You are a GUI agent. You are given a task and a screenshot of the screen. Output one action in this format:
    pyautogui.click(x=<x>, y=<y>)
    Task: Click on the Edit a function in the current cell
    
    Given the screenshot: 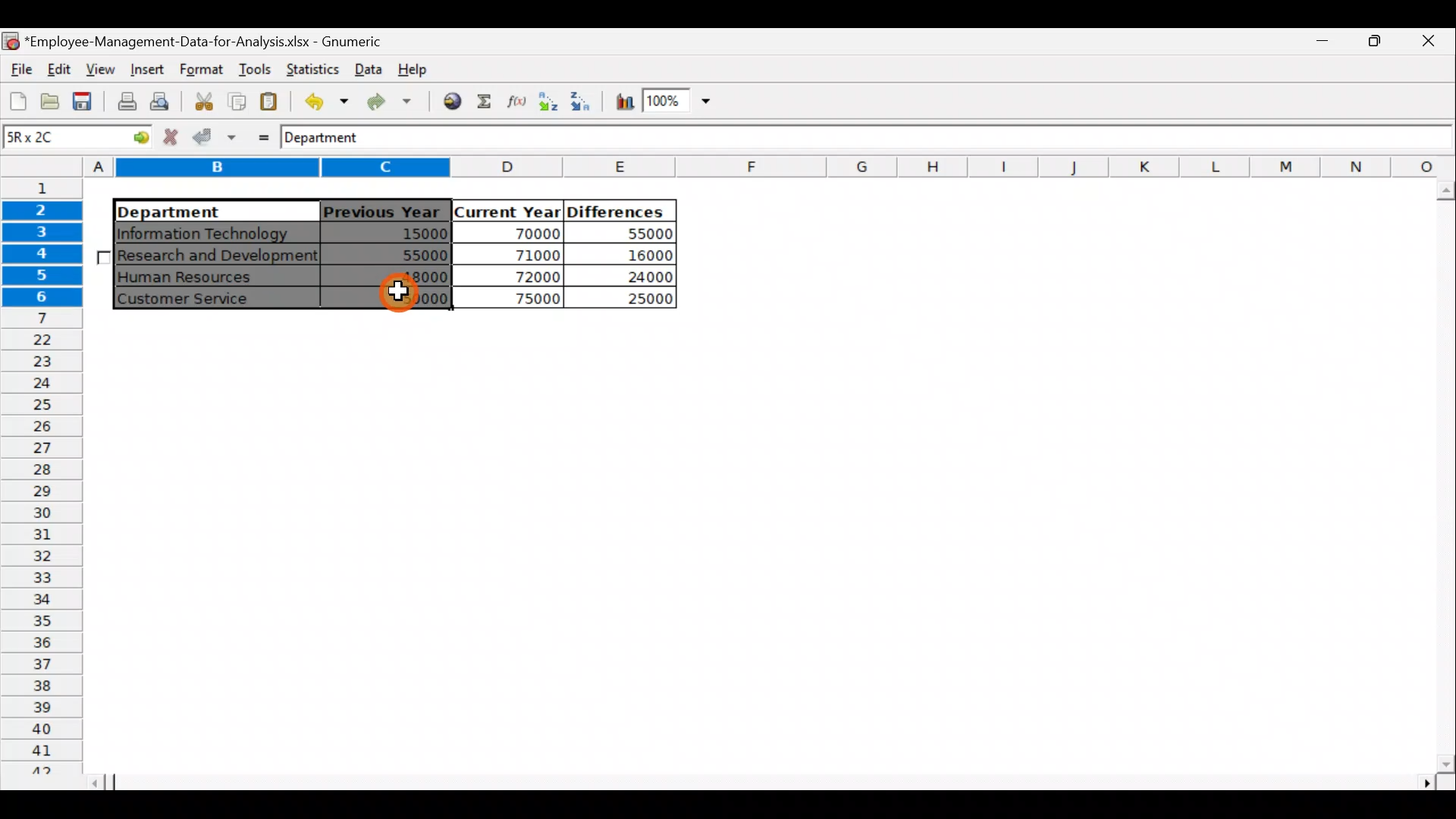 What is the action you would take?
    pyautogui.click(x=516, y=101)
    